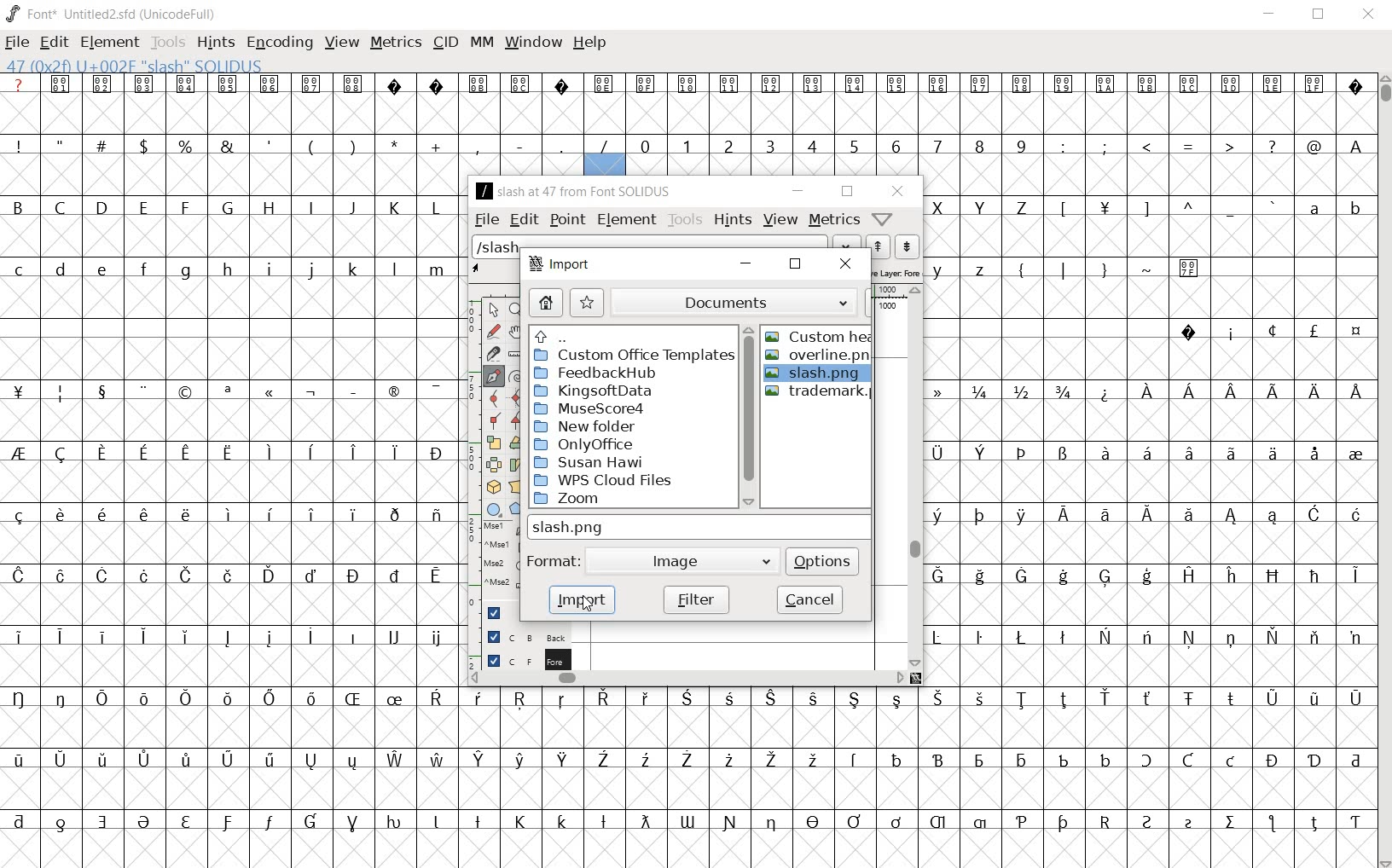  Describe the element at coordinates (915, 478) in the screenshot. I see `scrollbar` at that location.